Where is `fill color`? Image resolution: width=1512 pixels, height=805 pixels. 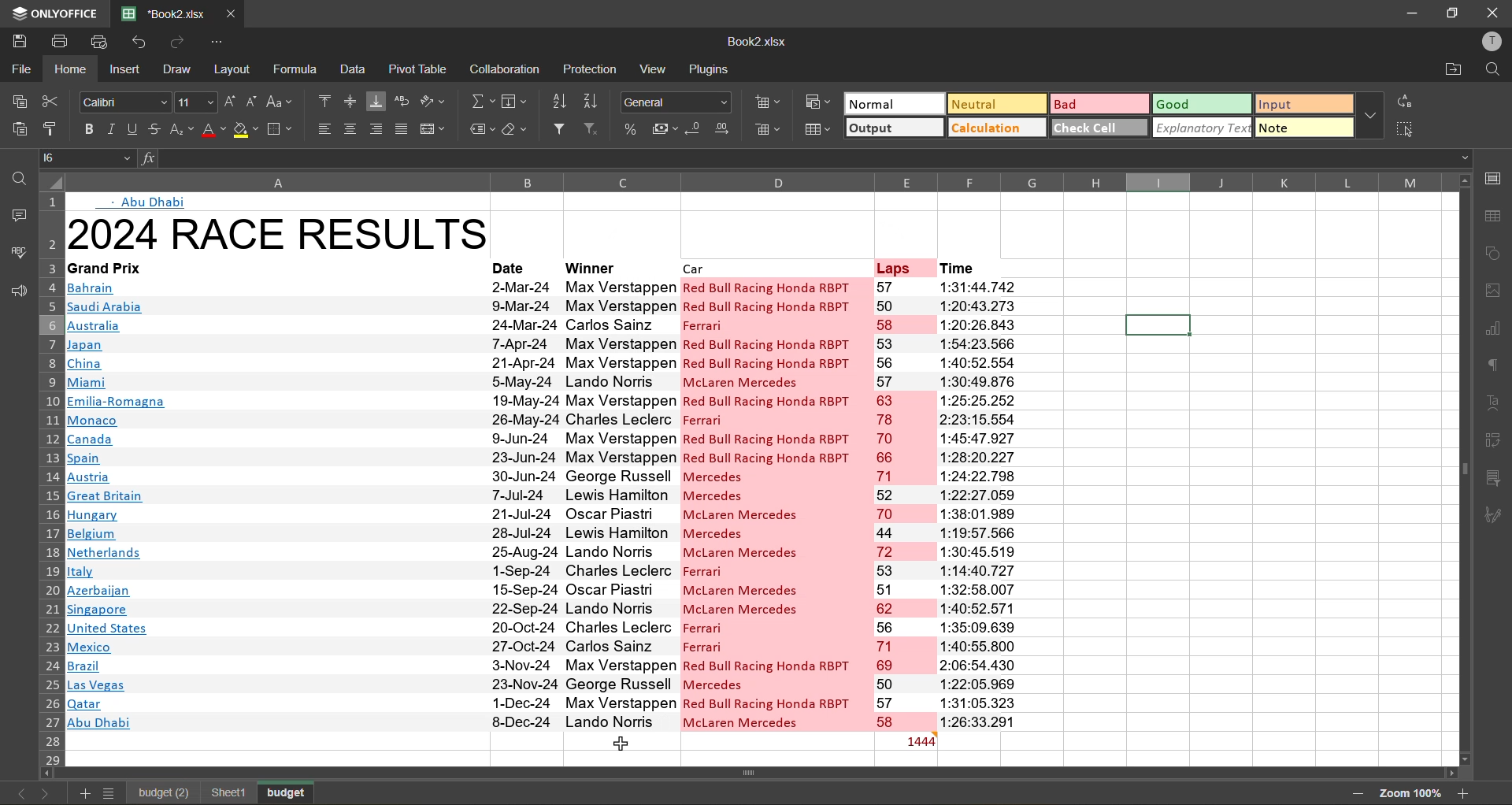 fill color is located at coordinates (247, 133).